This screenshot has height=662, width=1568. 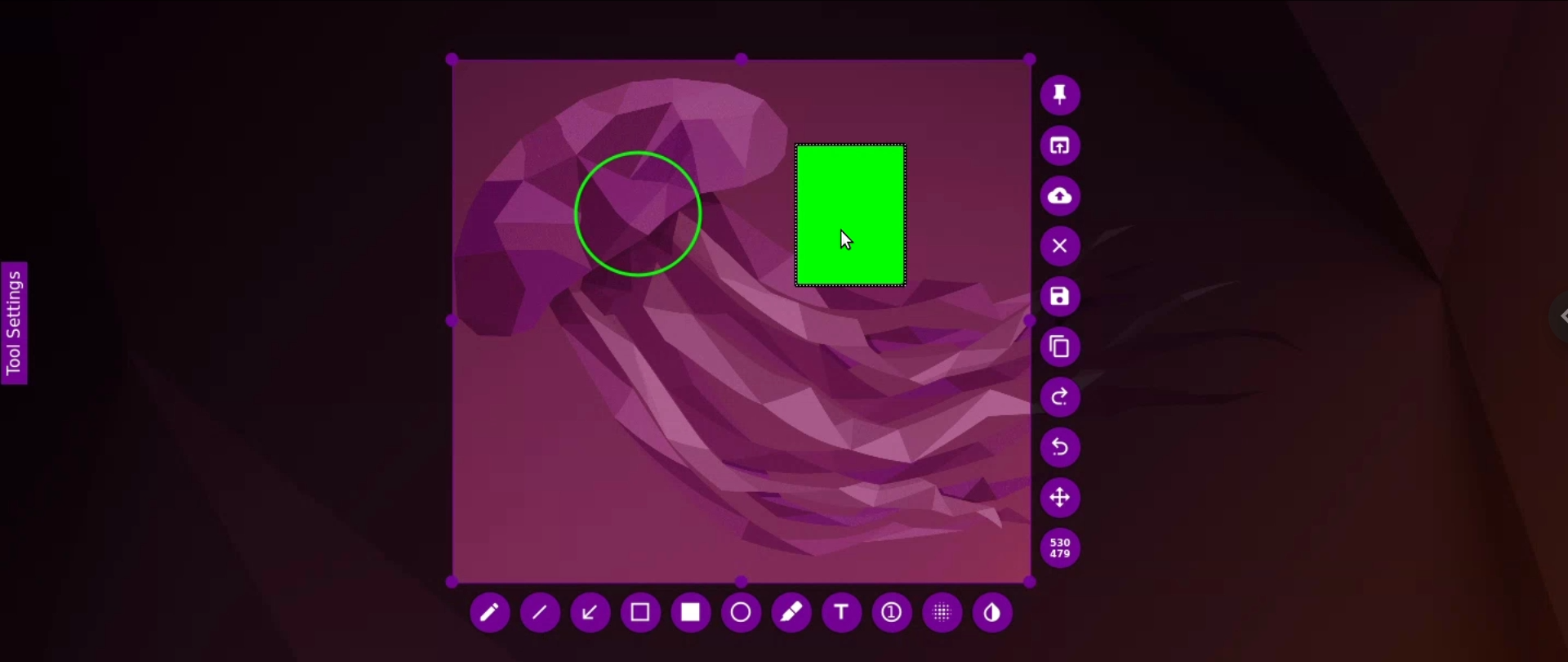 I want to click on pixelate, so click(x=941, y=613).